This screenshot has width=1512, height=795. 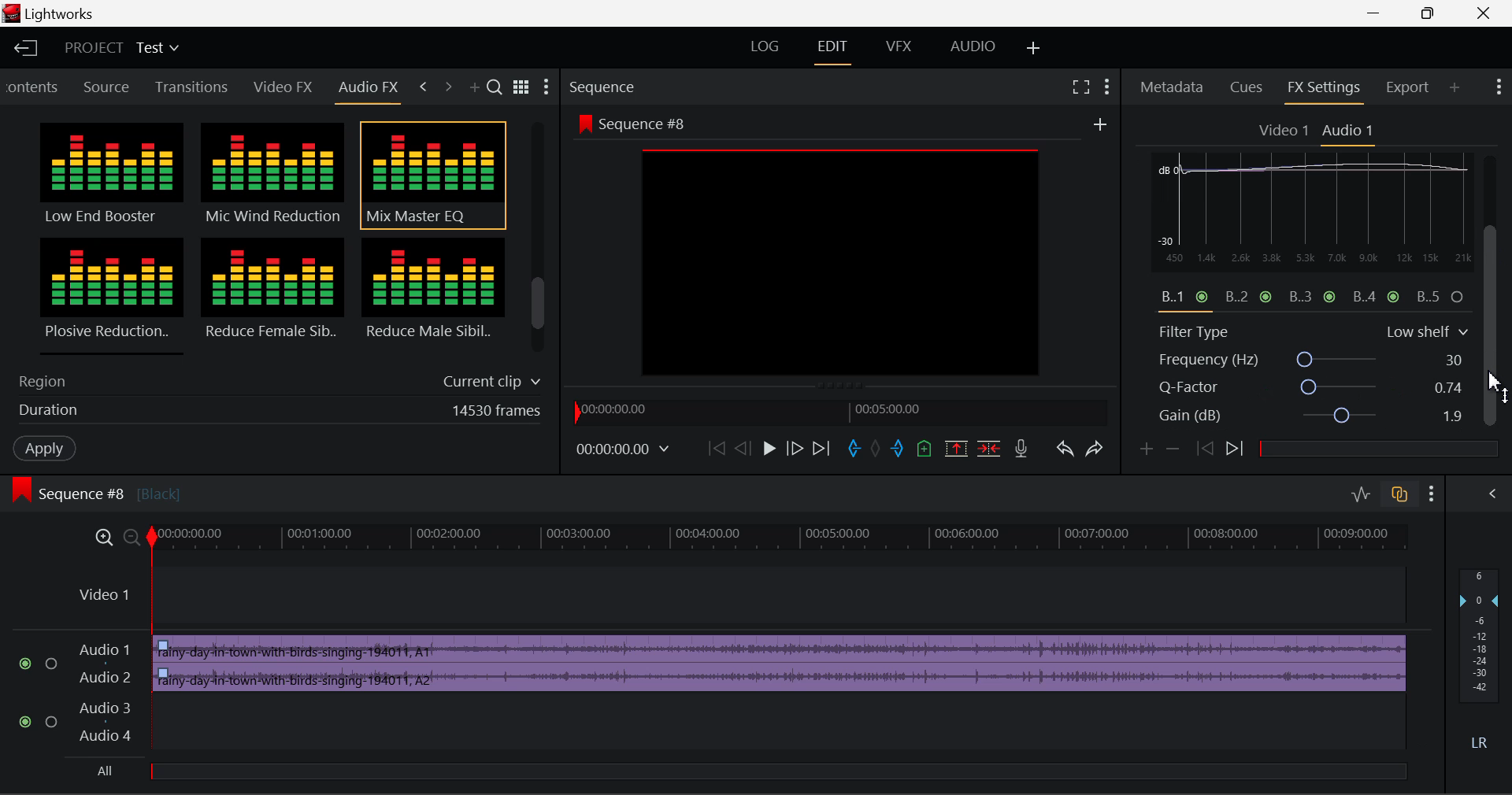 What do you see at coordinates (1067, 453) in the screenshot?
I see `Undo` at bounding box center [1067, 453].